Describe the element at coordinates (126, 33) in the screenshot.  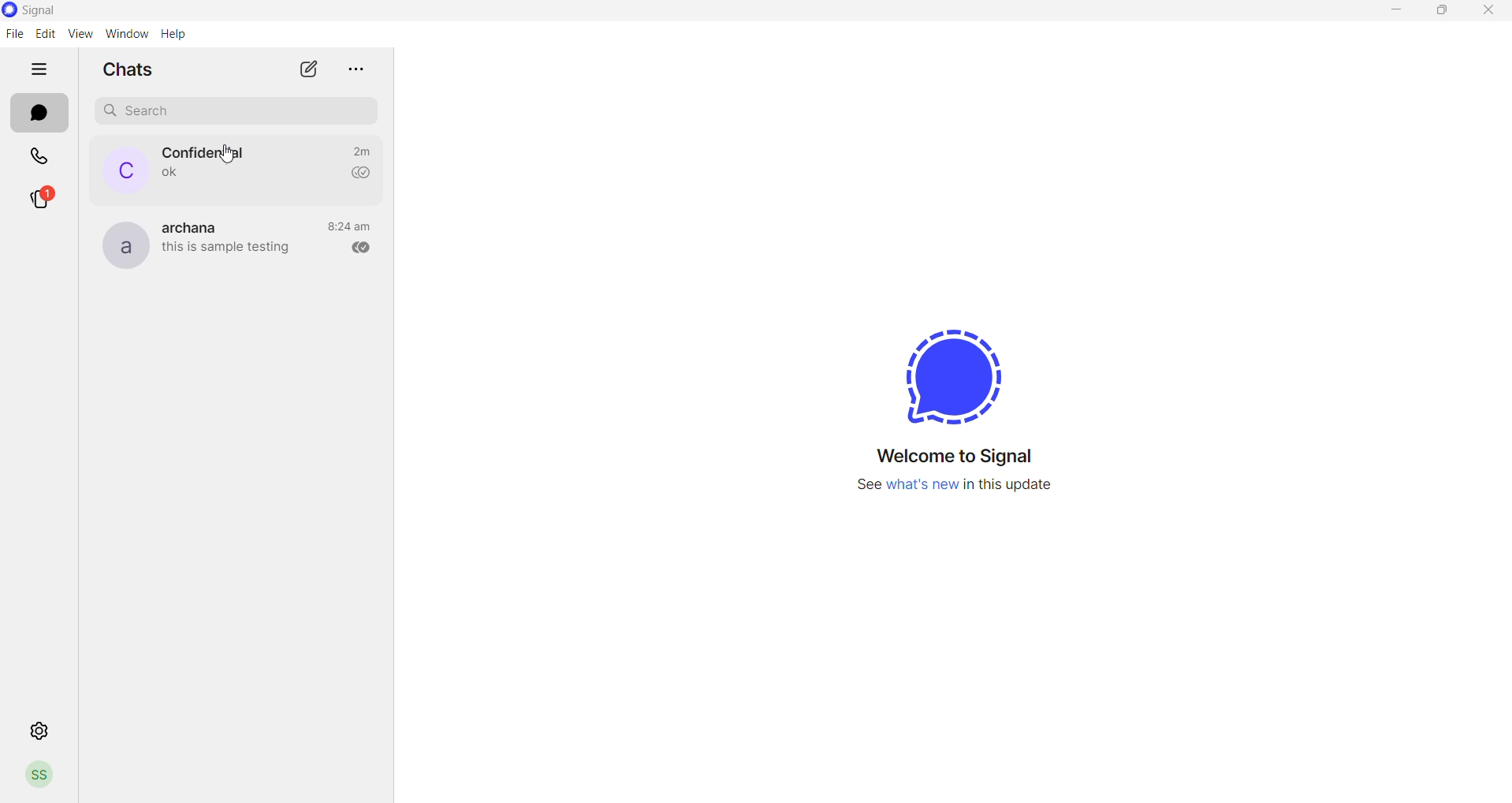
I see `window` at that location.